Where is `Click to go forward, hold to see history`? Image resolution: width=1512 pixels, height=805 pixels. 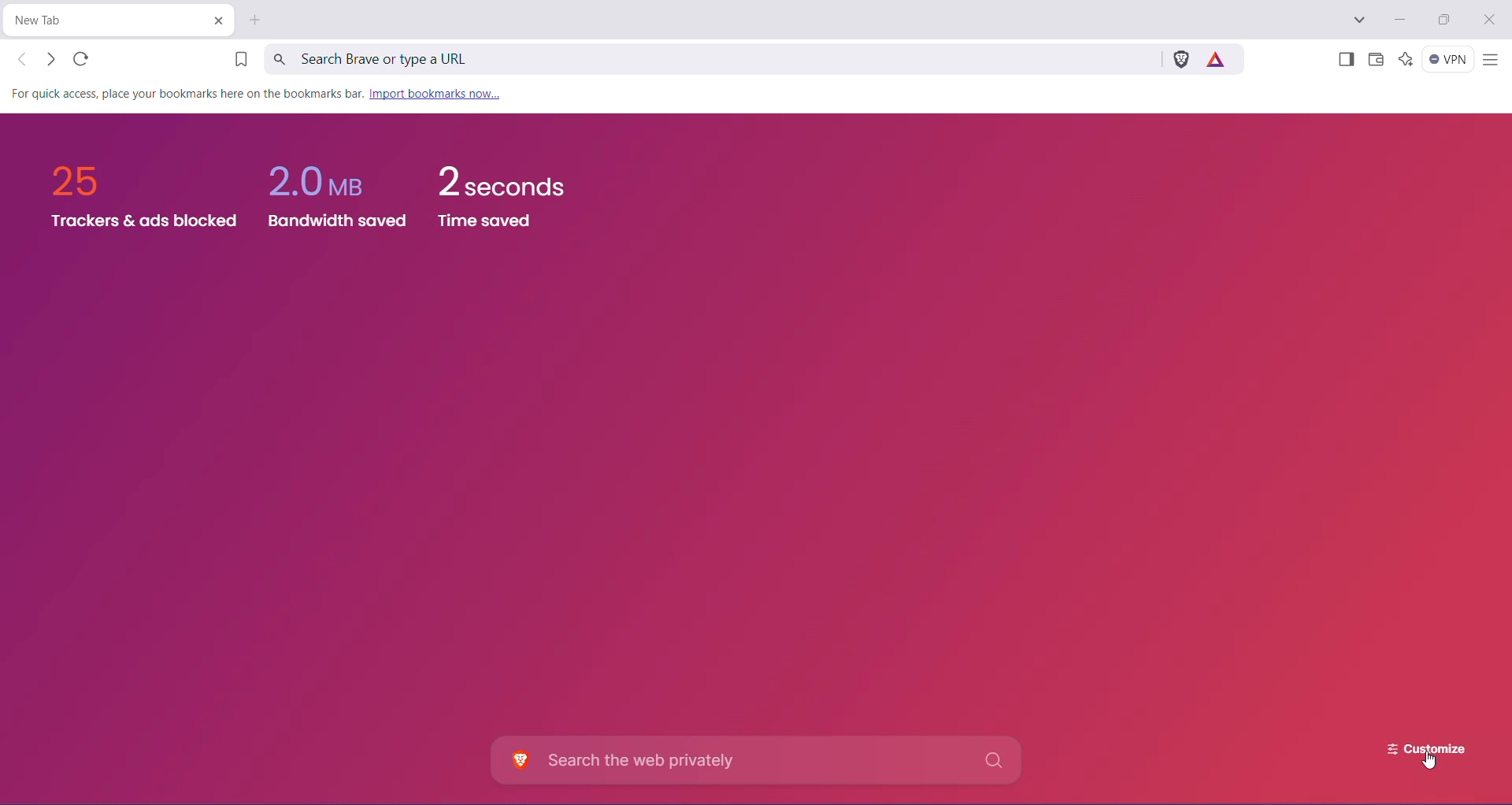
Click to go forward, hold to see history is located at coordinates (50, 59).